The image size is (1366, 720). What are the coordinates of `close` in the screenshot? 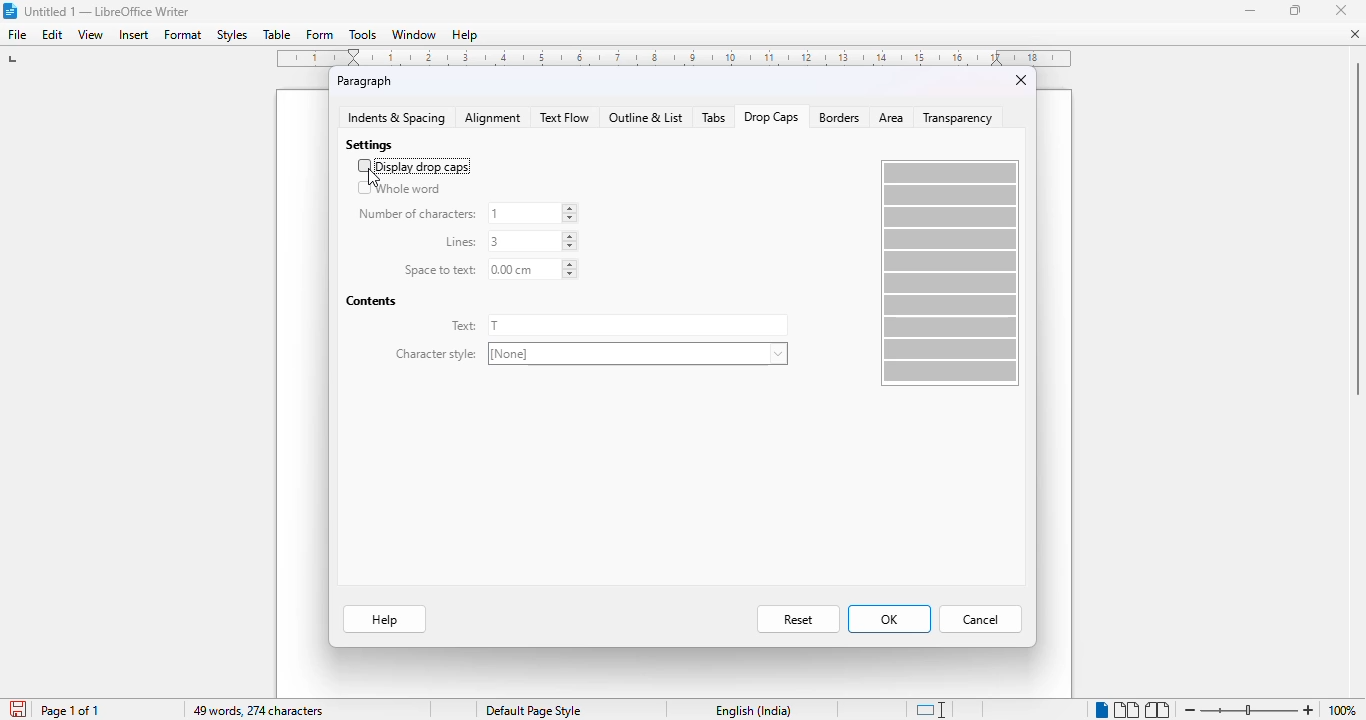 It's located at (1341, 9).